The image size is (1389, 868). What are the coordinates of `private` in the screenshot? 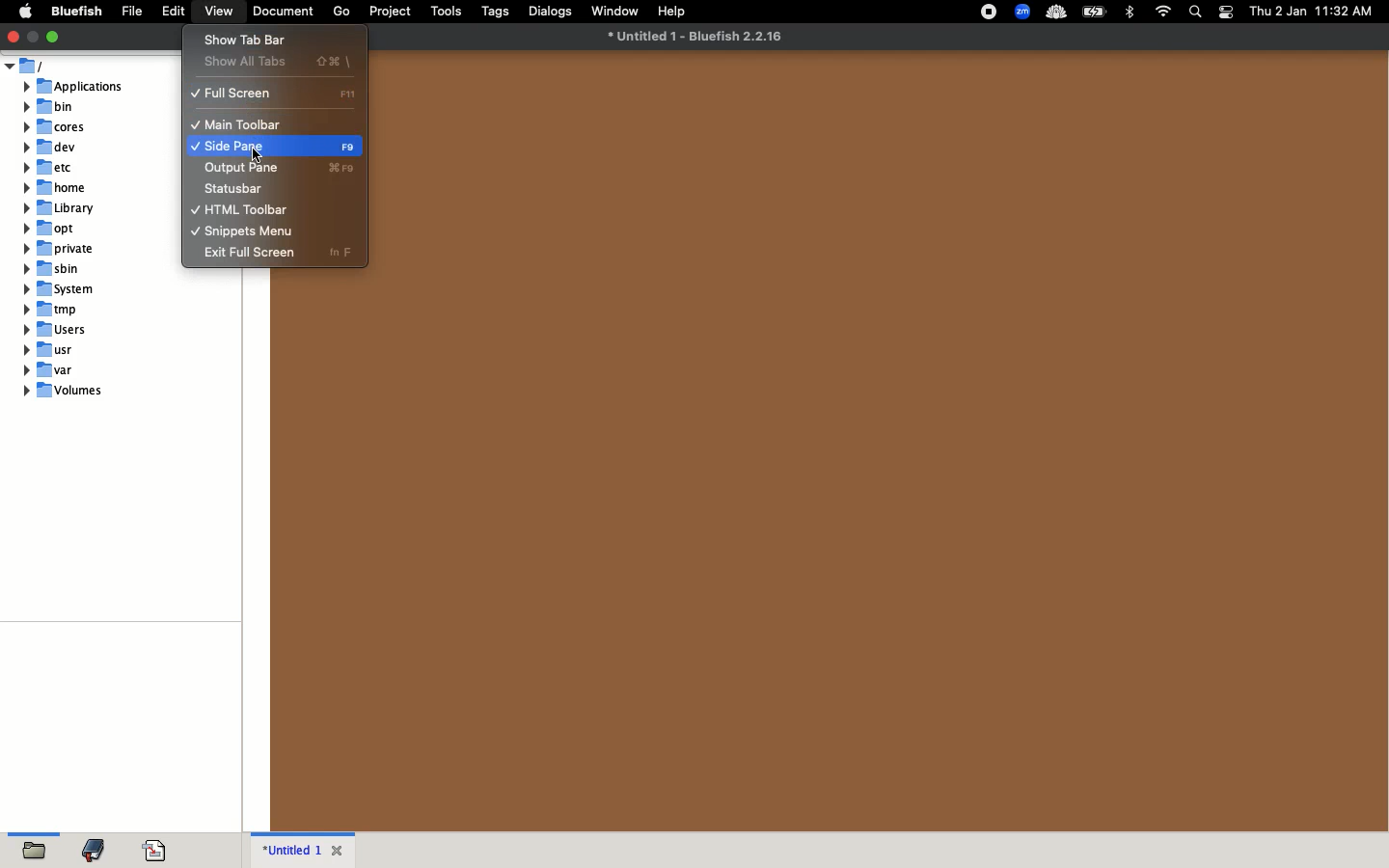 It's located at (61, 248).